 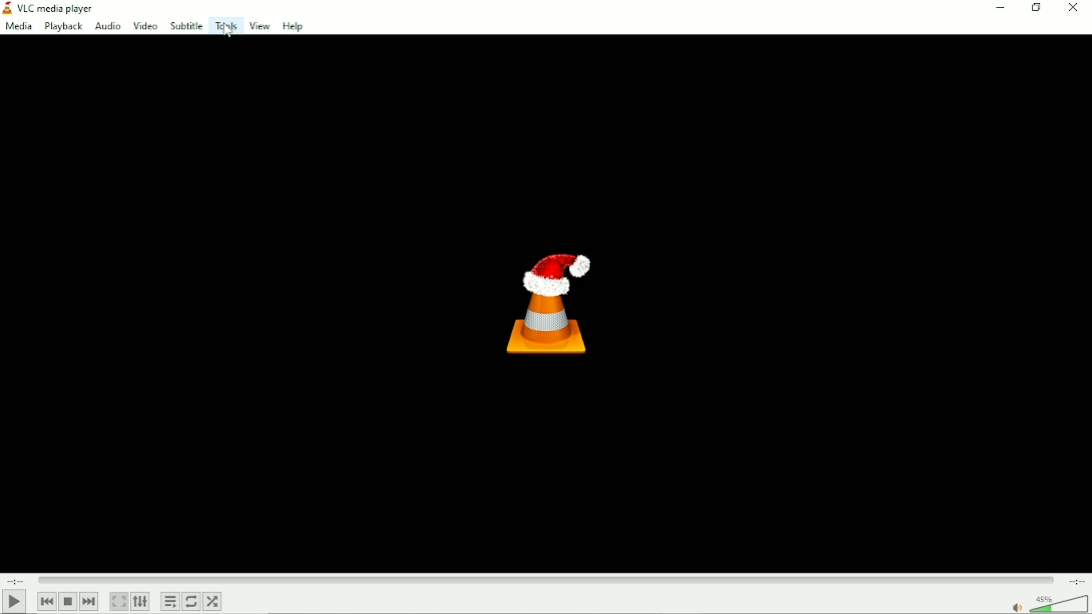 I want to click on Elapsed time, so click(x=17, y=580).